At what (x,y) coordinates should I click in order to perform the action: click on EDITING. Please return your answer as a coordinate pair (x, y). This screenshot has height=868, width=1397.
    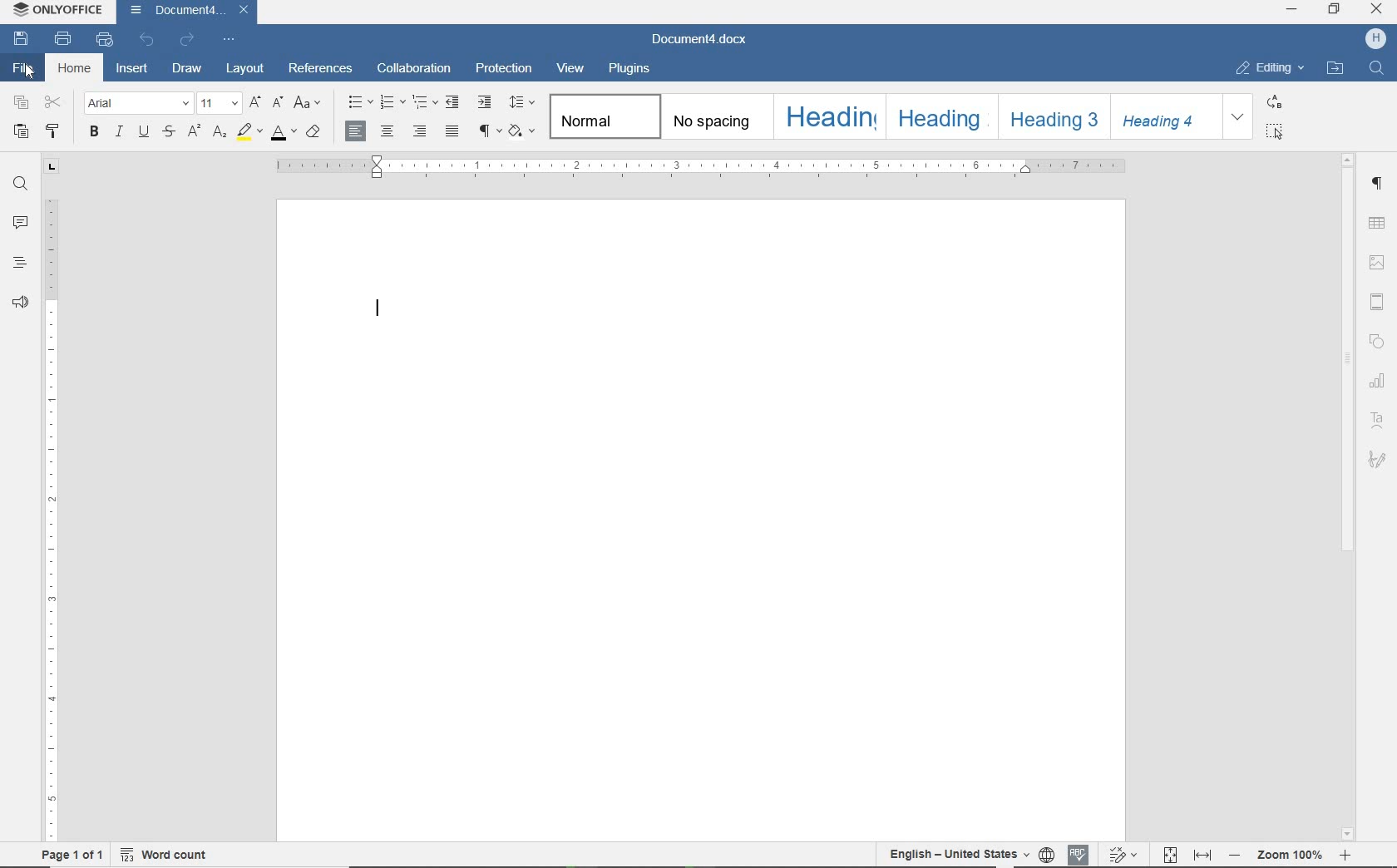
    Looking at the image, I should click on (1271, 67).